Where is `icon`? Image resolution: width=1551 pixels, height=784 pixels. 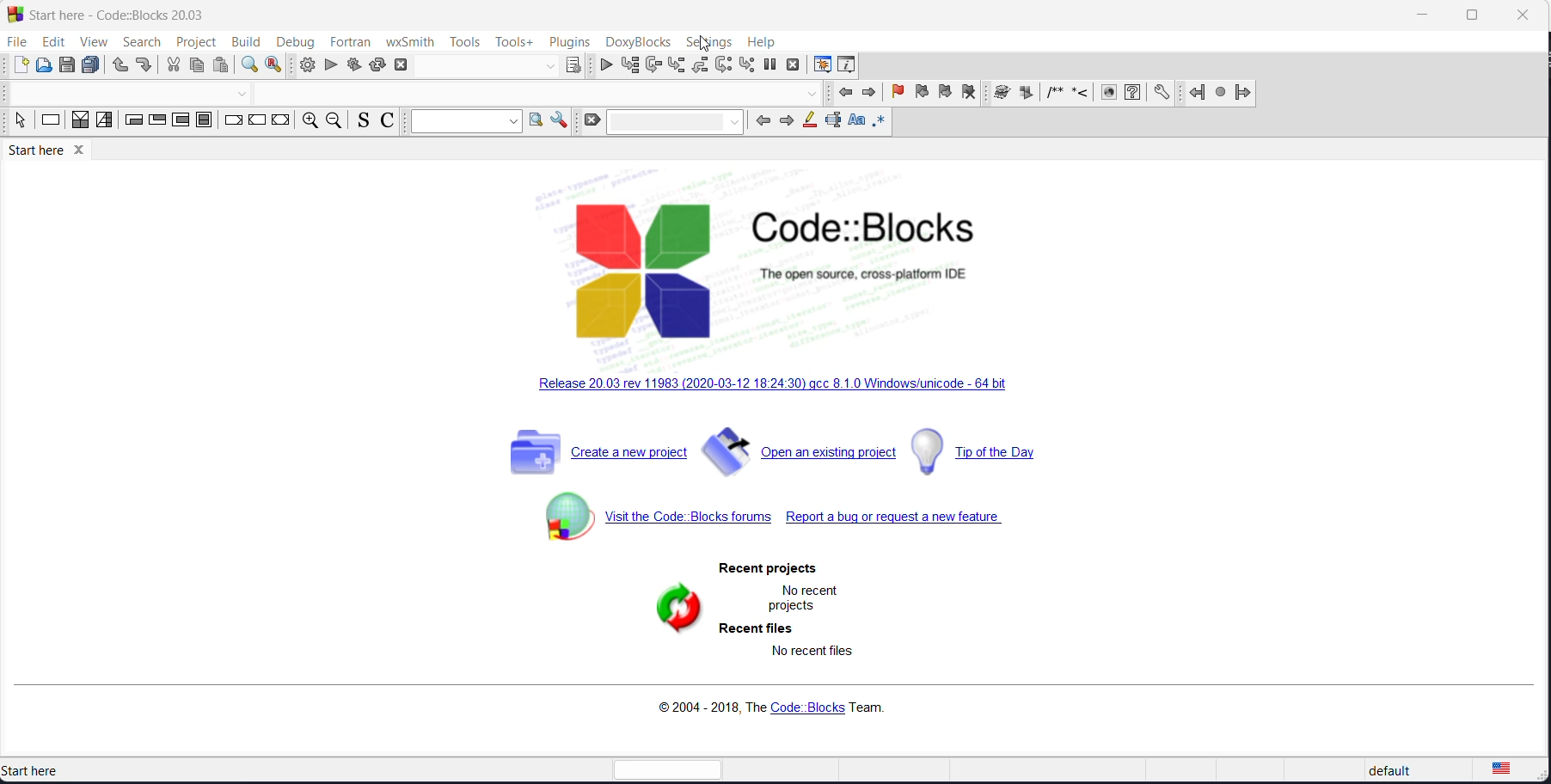 icon is located at coordinates (1106, 95).